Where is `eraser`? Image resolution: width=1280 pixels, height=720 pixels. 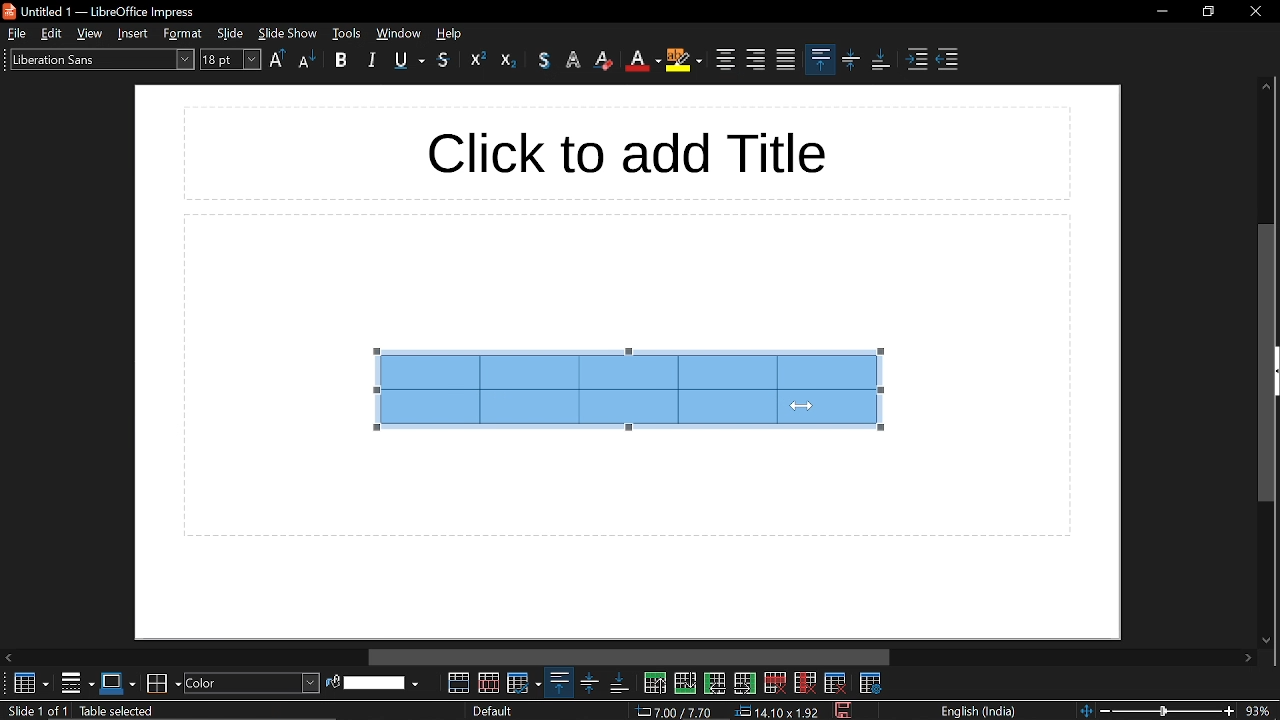 eraser is located at coordinates (509, 59).